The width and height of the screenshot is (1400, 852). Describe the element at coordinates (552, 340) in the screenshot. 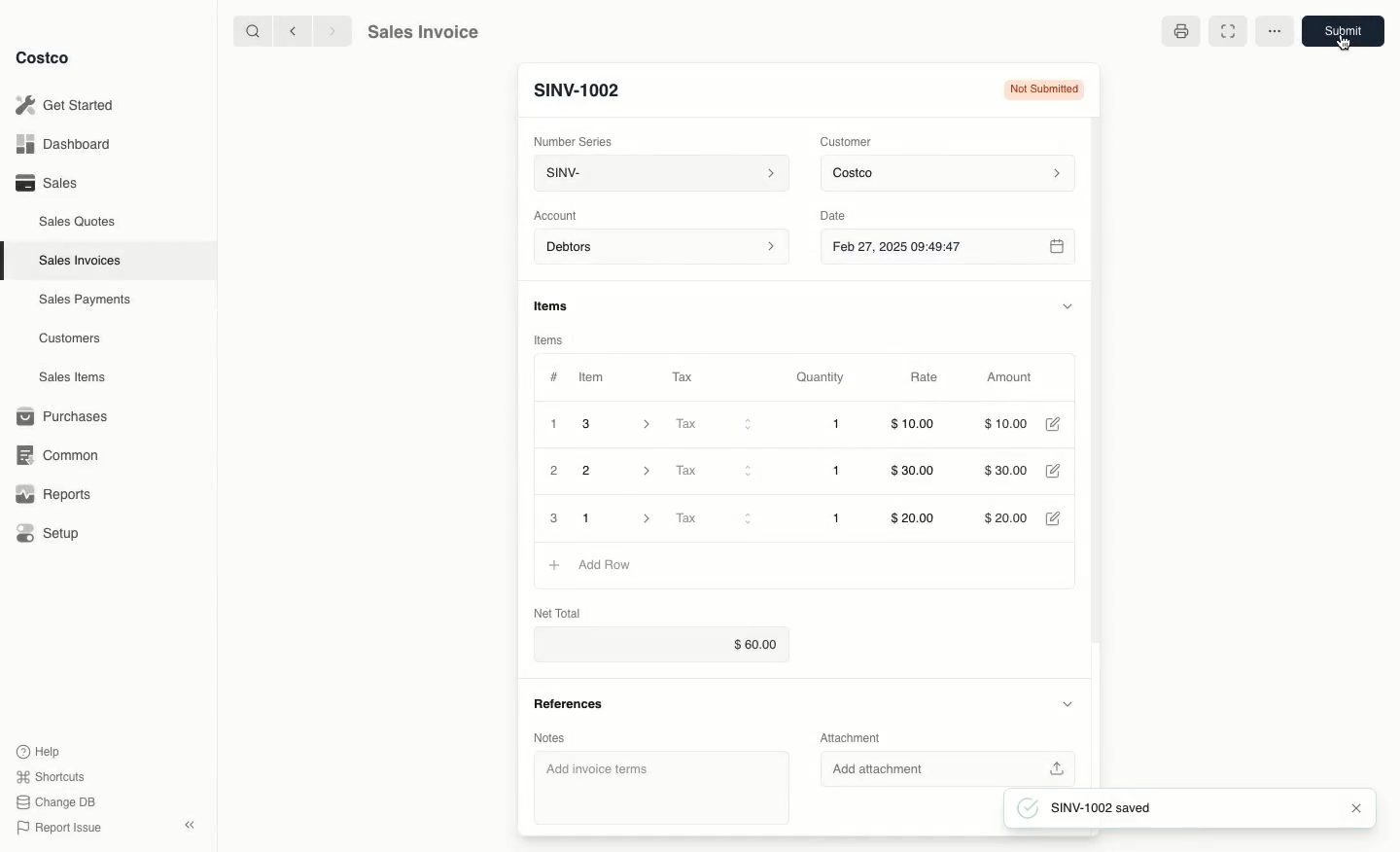

I see `Items` at that location.